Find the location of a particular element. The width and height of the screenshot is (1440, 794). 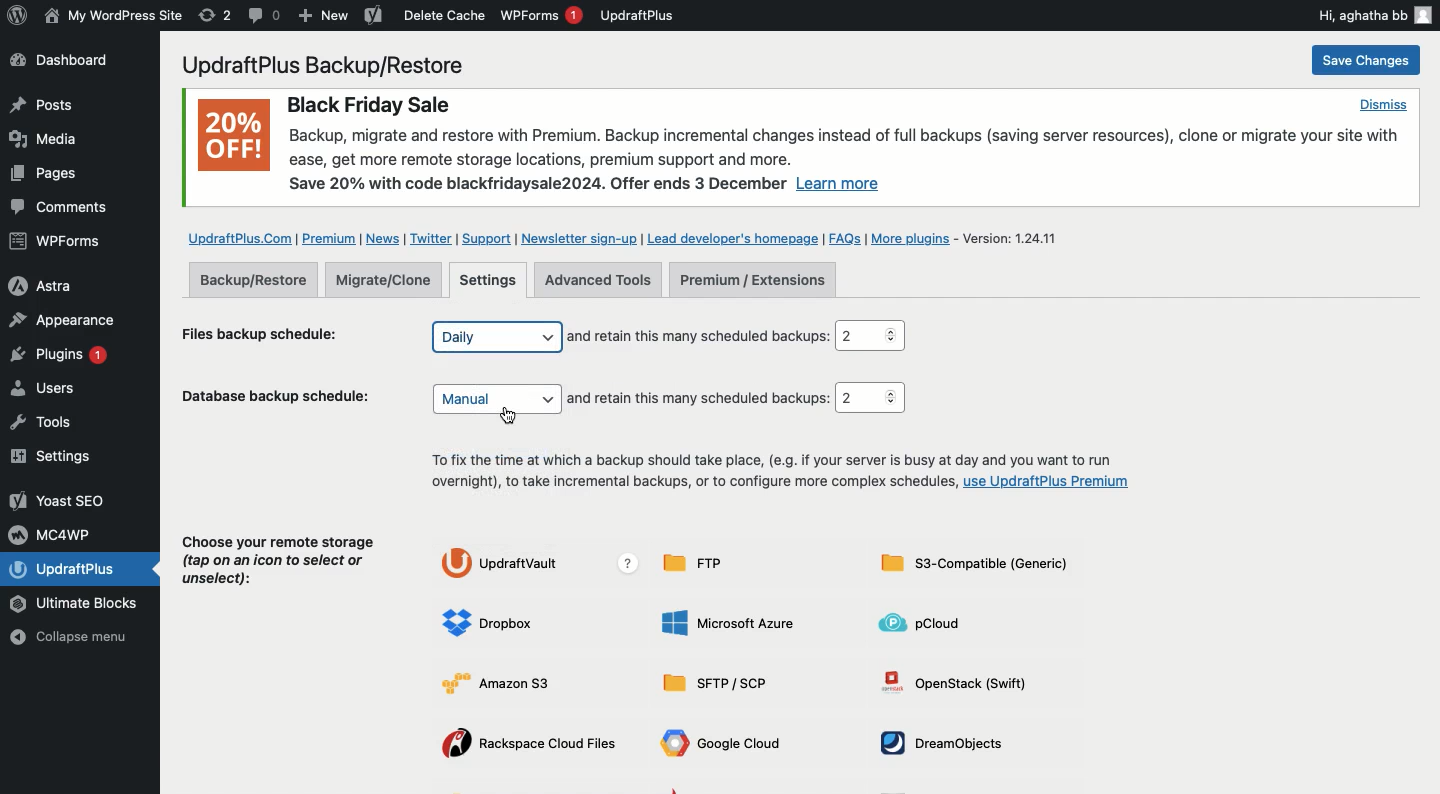

OpenStack is located at coordinates (963, 681).